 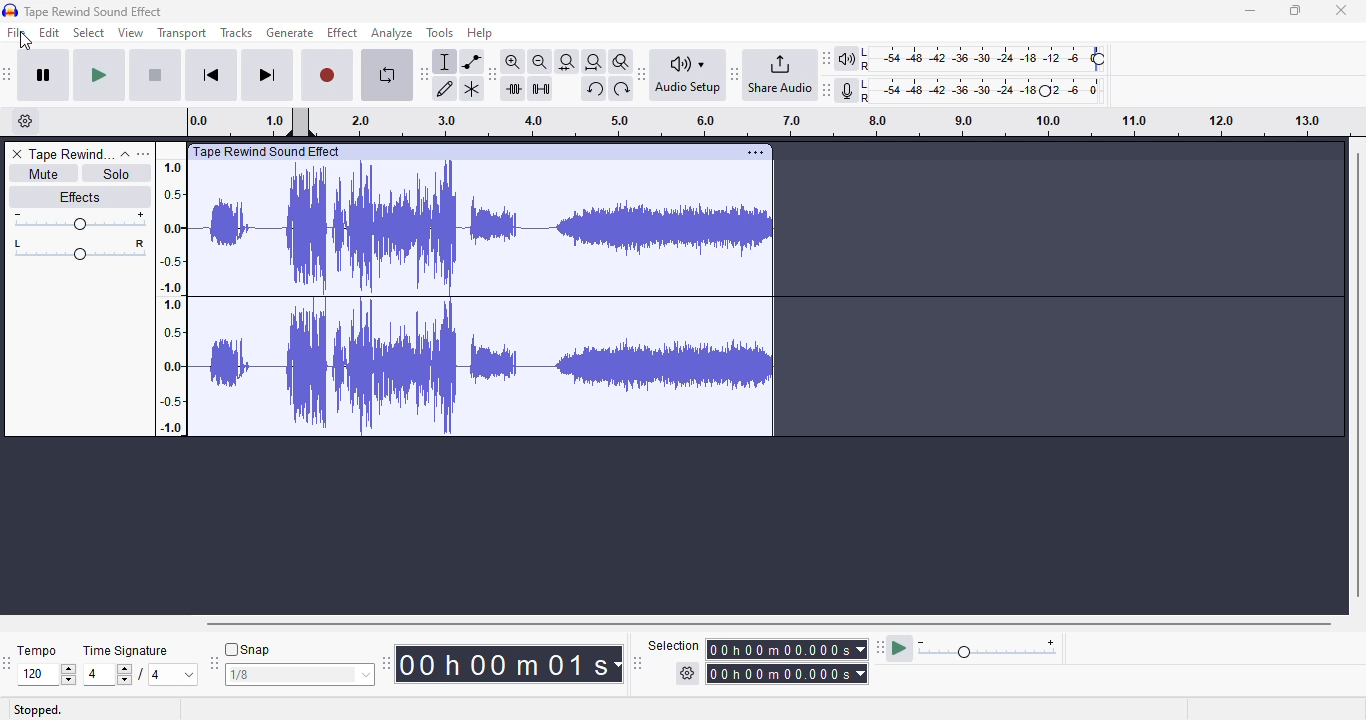 What do you see at coordinates (567, 61) in the screenshot?
I see `fit selection to width` at bounding box center [567, 61].